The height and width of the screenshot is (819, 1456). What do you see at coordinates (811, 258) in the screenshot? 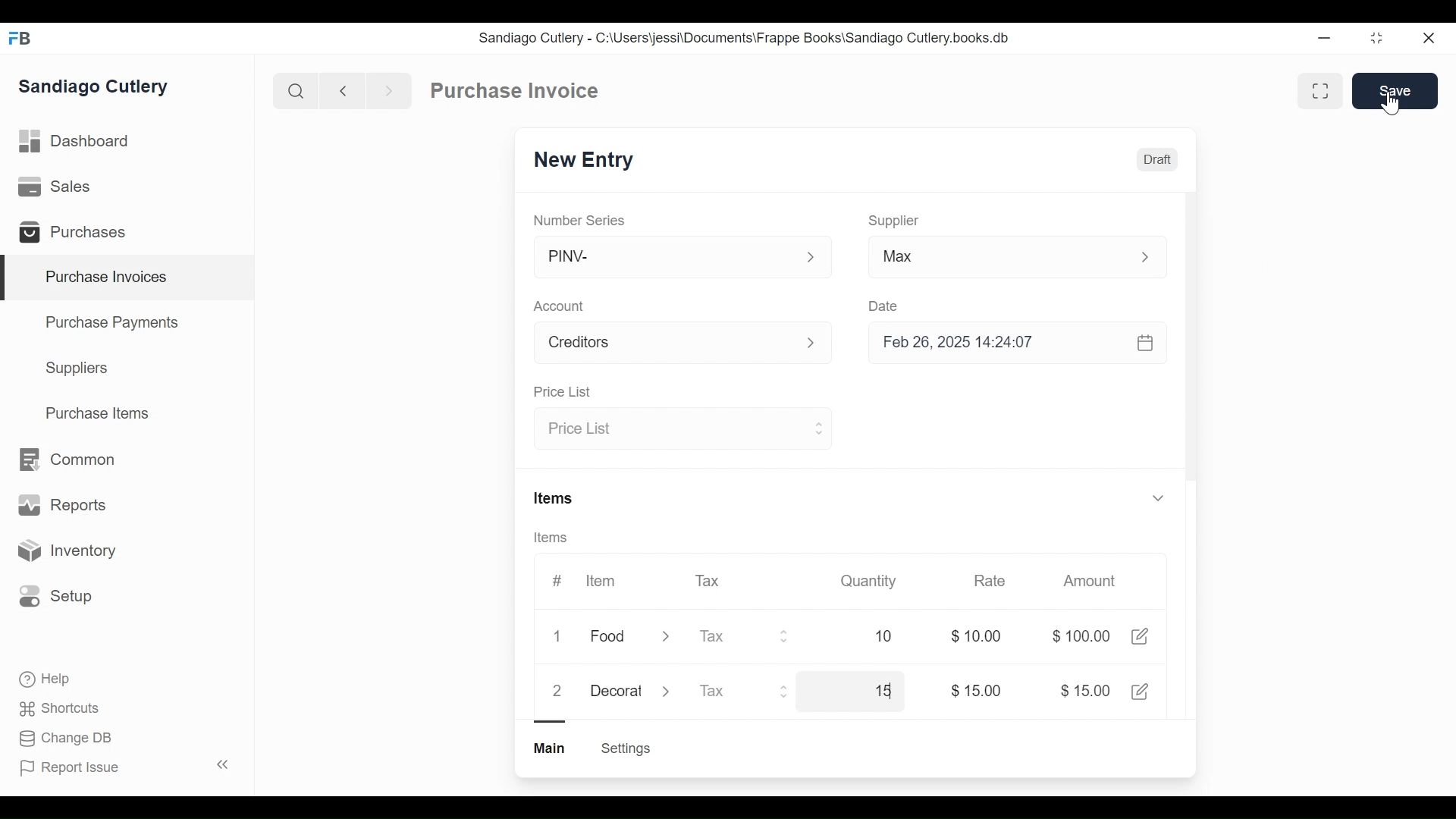
I see `Expand` at bounding box center [811, 258].